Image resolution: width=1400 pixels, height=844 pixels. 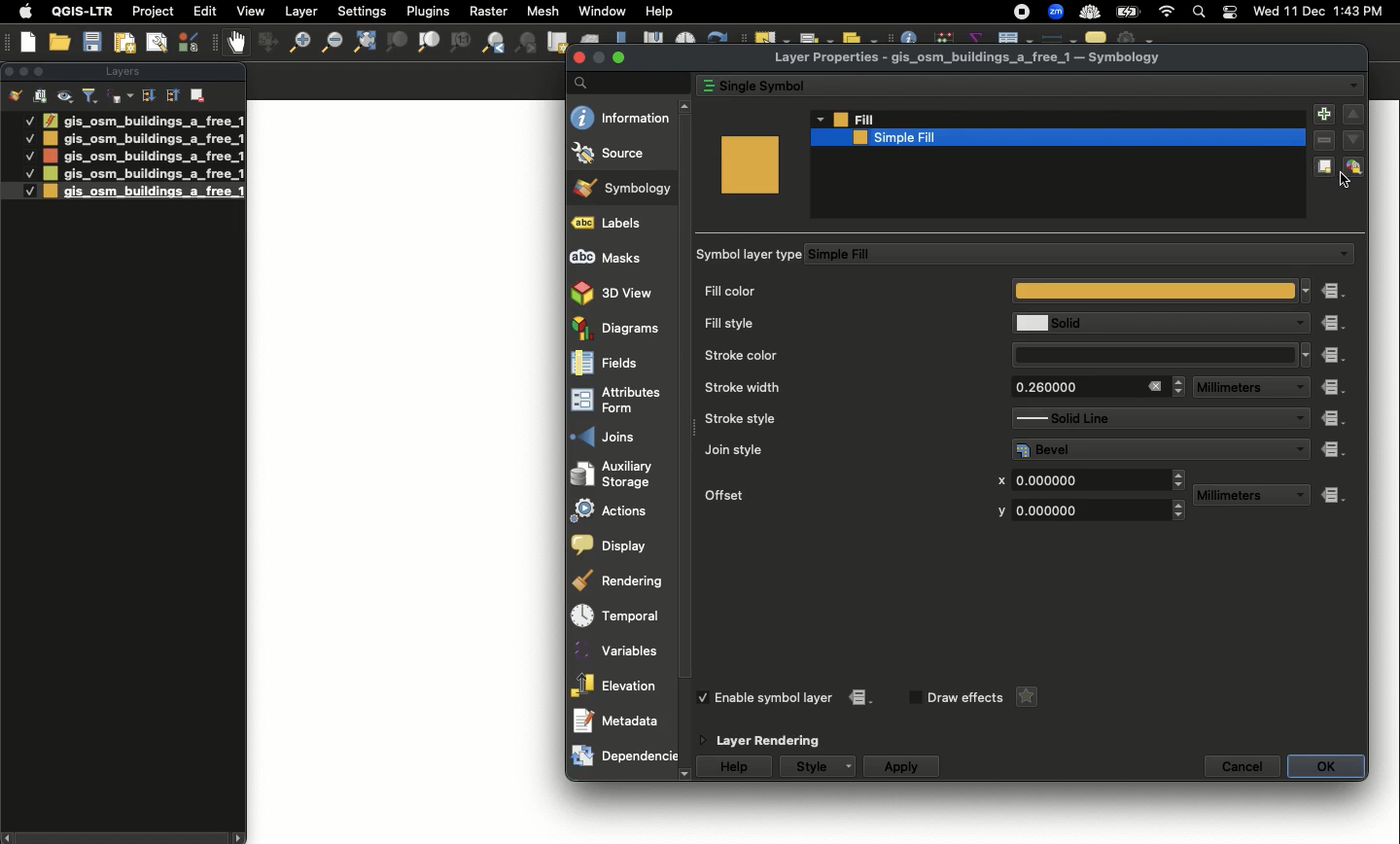 What do you see at coordinates (295, 45) in the screenshot?
I see `Zoom out` at bounding box center [295, 45].